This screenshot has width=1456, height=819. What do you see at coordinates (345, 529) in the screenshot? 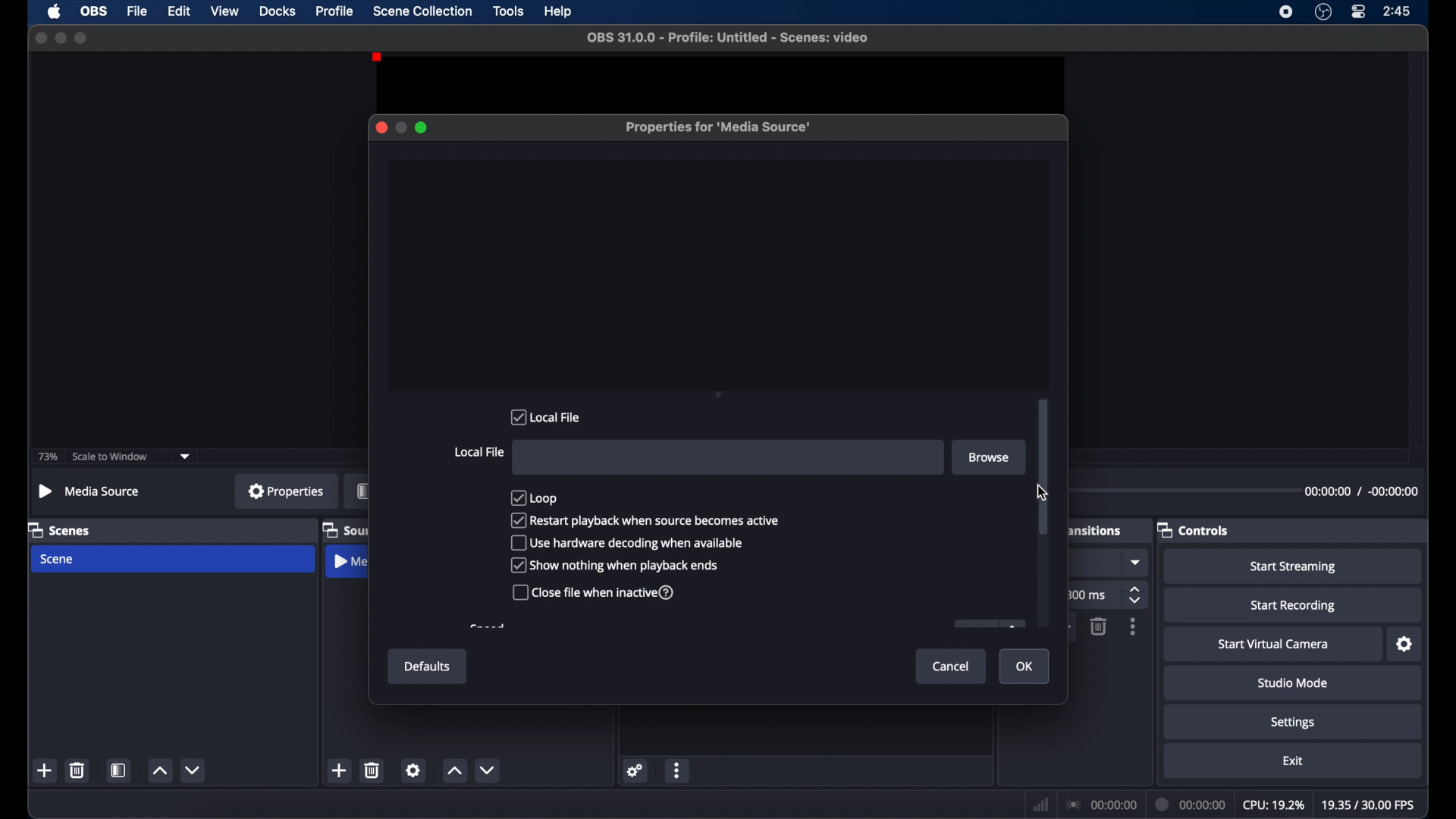
I see `sources` at bounding box center [345, 529].